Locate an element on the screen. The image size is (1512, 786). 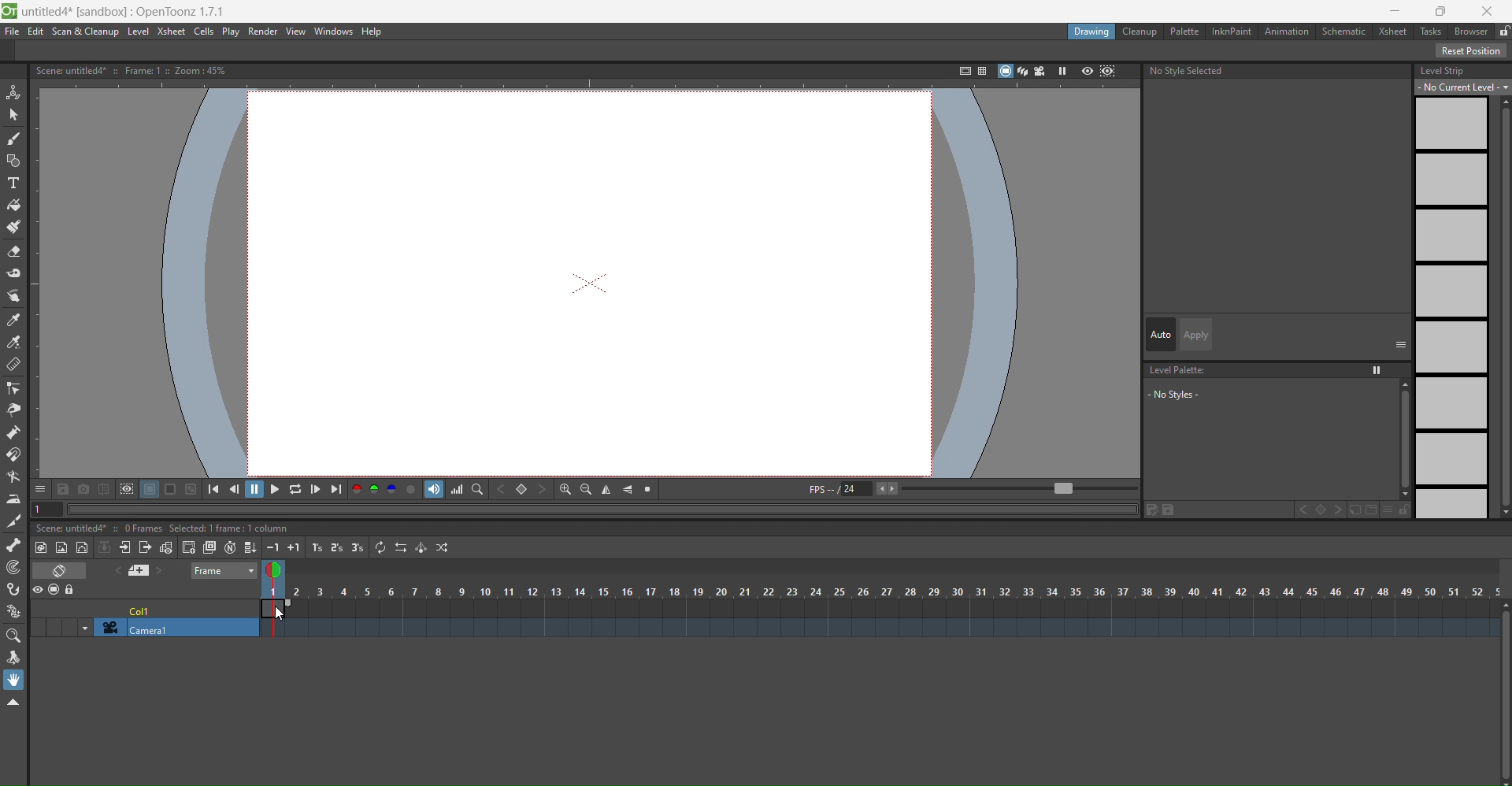
 is located at coordinates (648, 490).